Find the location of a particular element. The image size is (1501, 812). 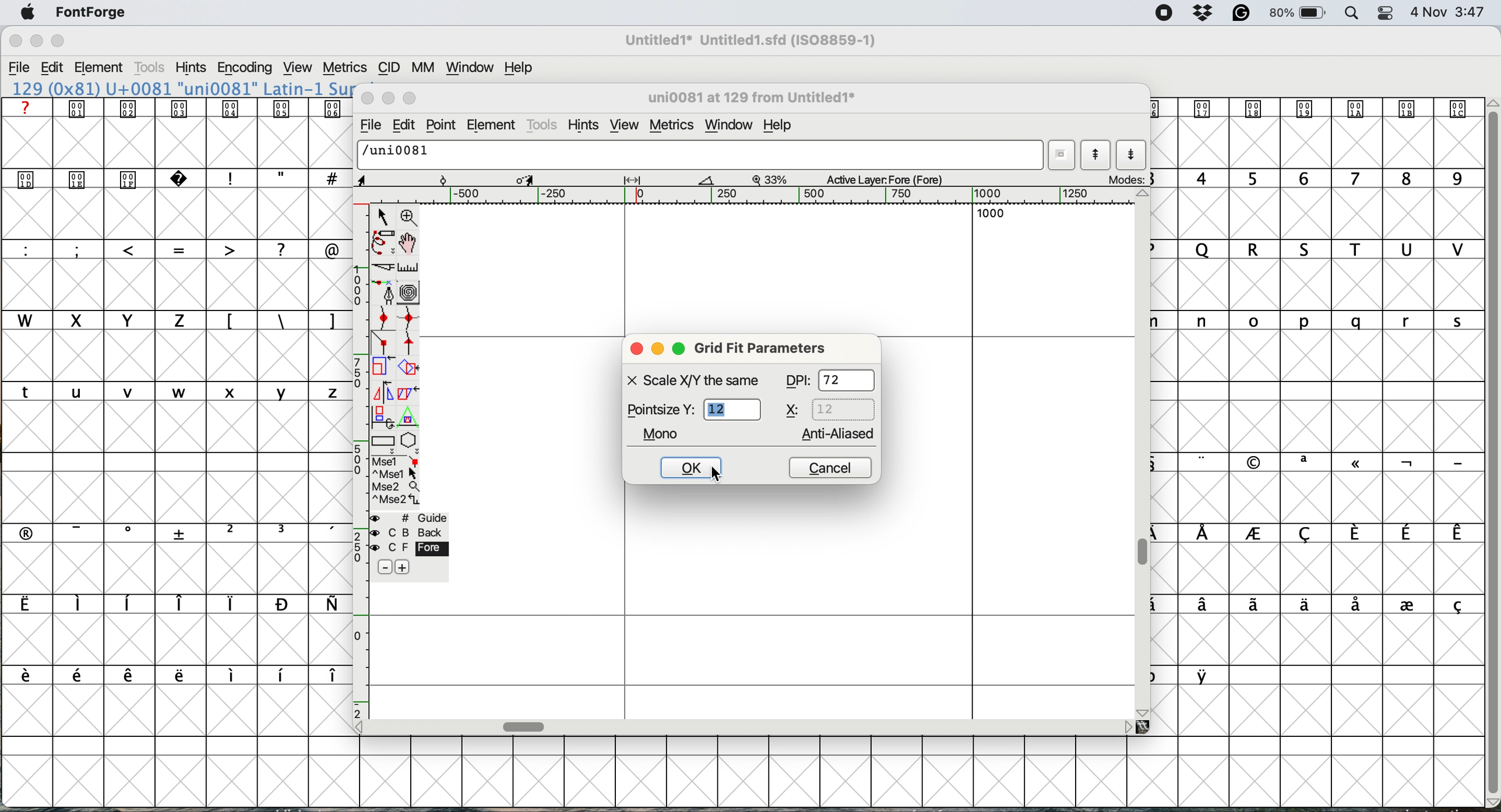

Horizontal Scale is located at coordinates (746, 196).